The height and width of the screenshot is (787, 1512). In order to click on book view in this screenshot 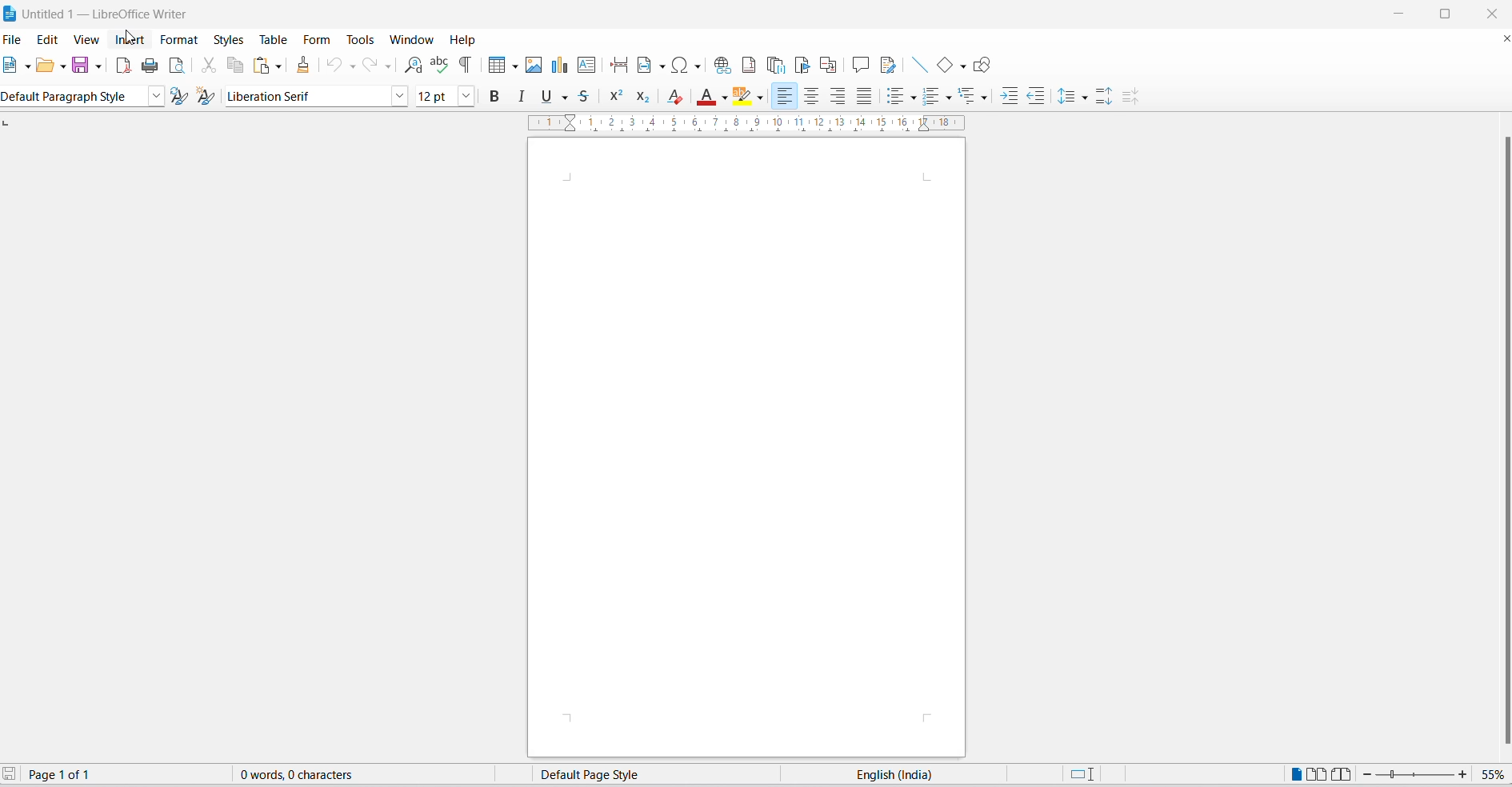, I will do `click(1346, 775)`.